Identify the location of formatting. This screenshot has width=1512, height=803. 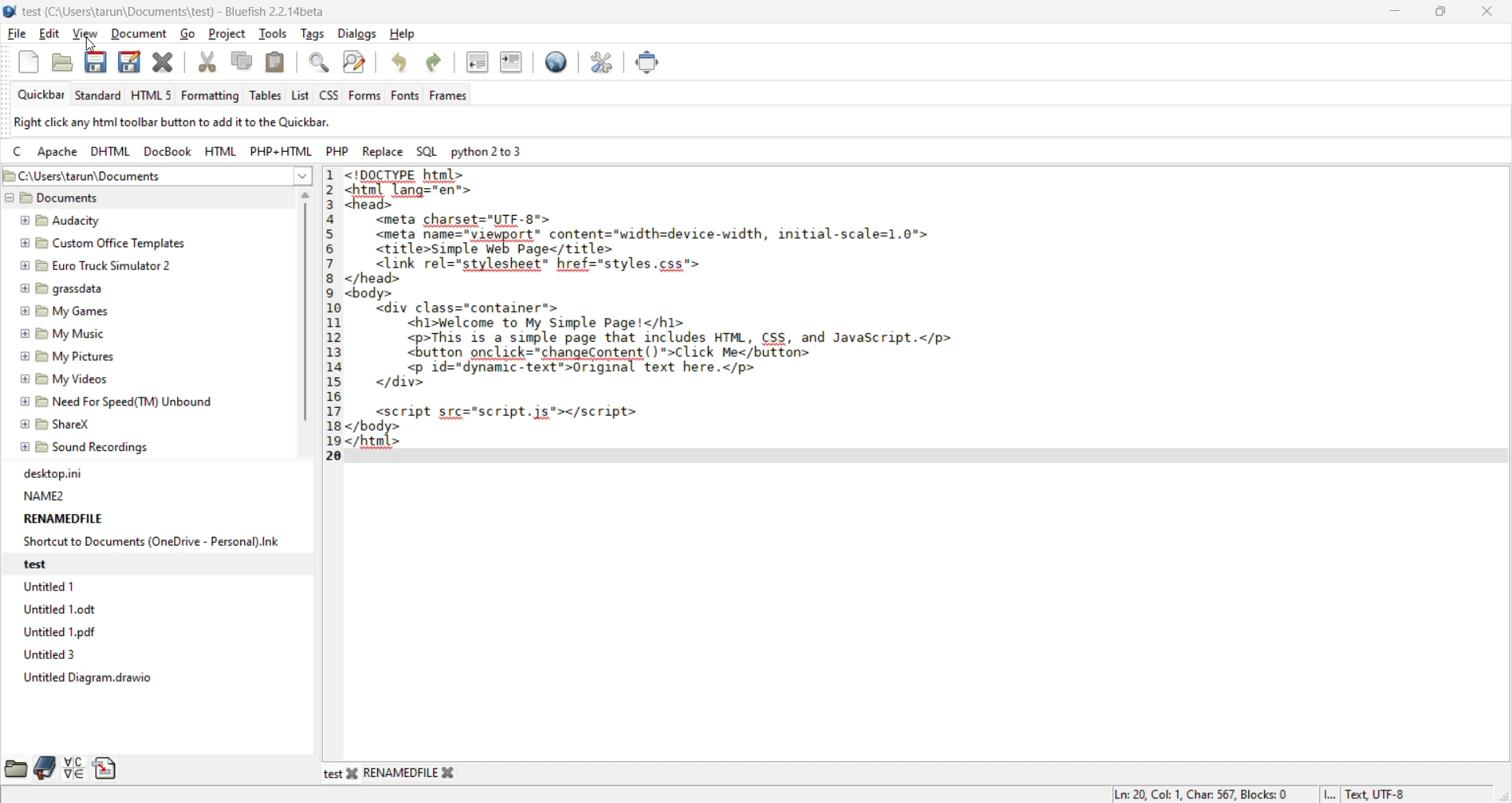
(213, 97).